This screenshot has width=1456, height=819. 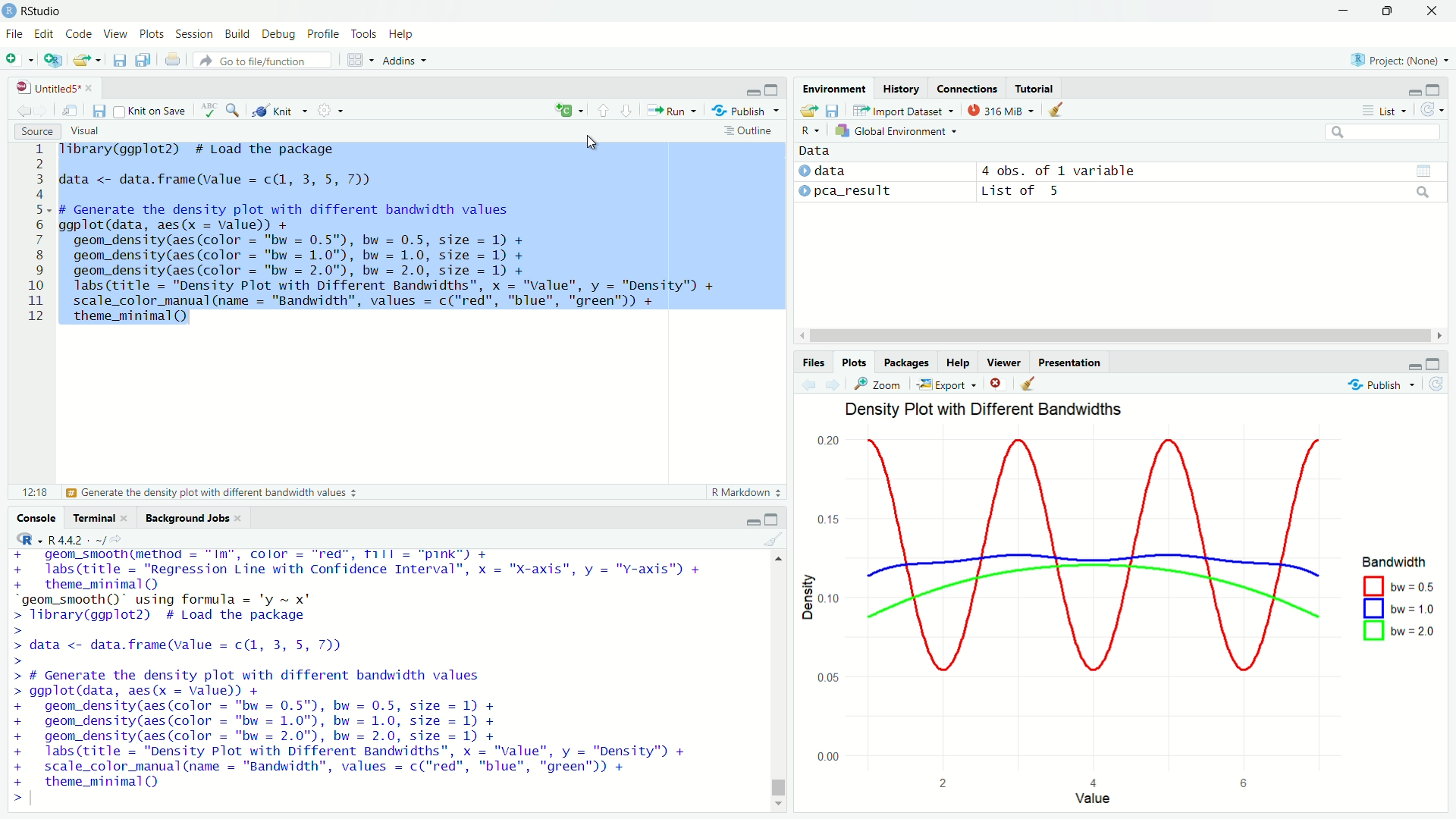 I want to click on Go to file/function, so click(x=262, y=61).